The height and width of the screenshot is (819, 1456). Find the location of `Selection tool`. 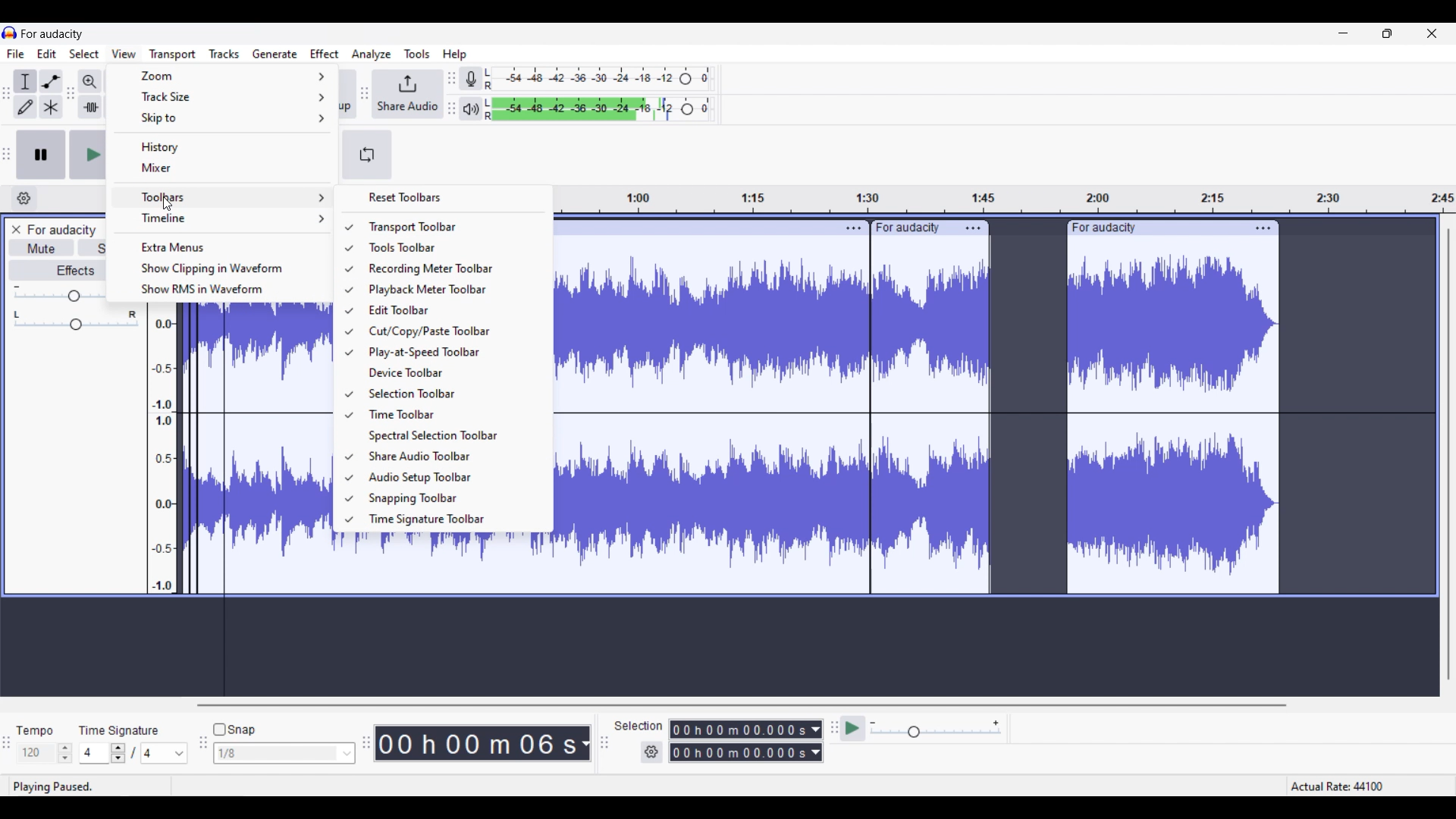

Selection tool is located at coordinates (25, 81).